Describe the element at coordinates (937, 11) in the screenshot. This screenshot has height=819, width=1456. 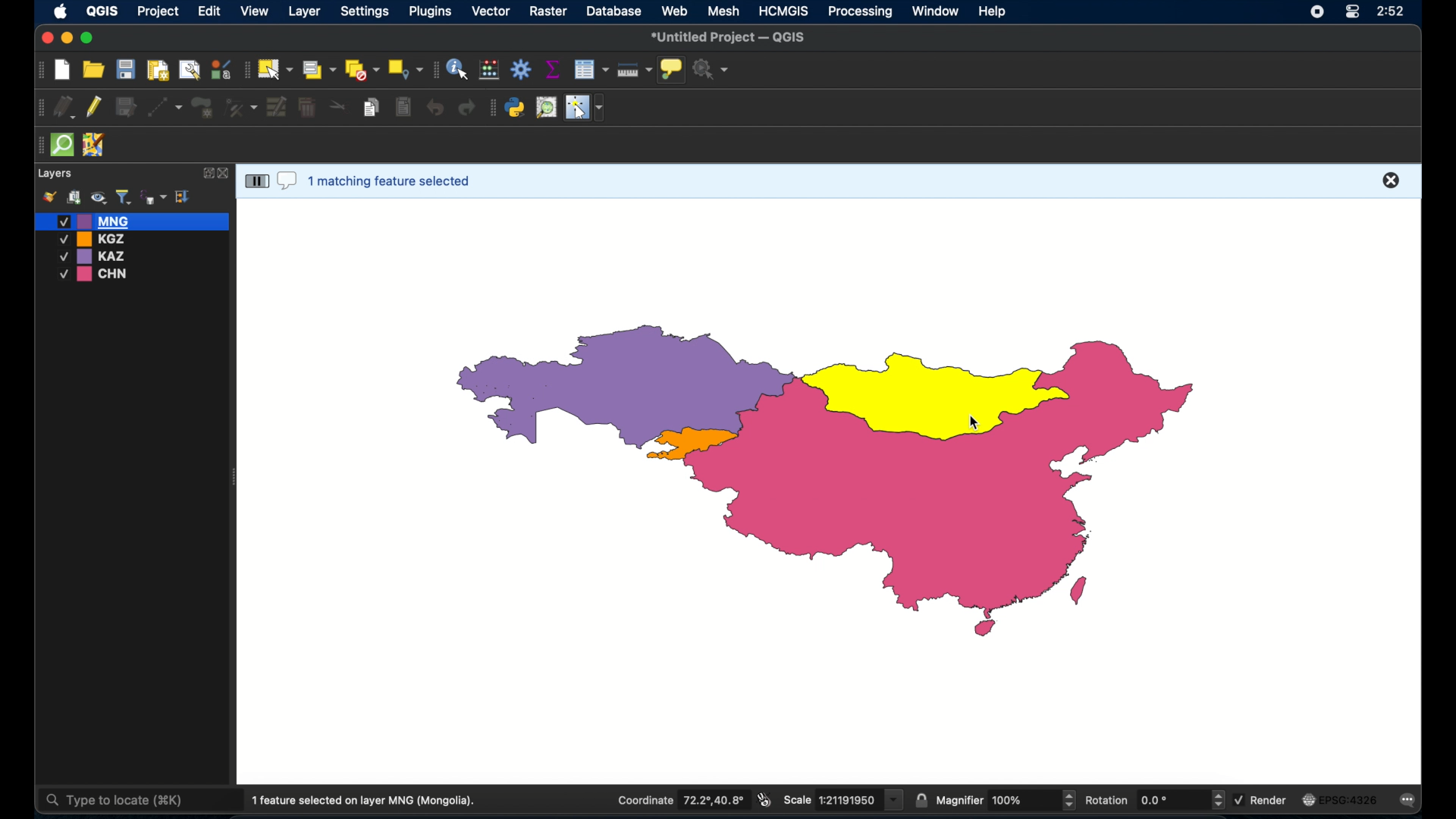
I see `window` at that location.